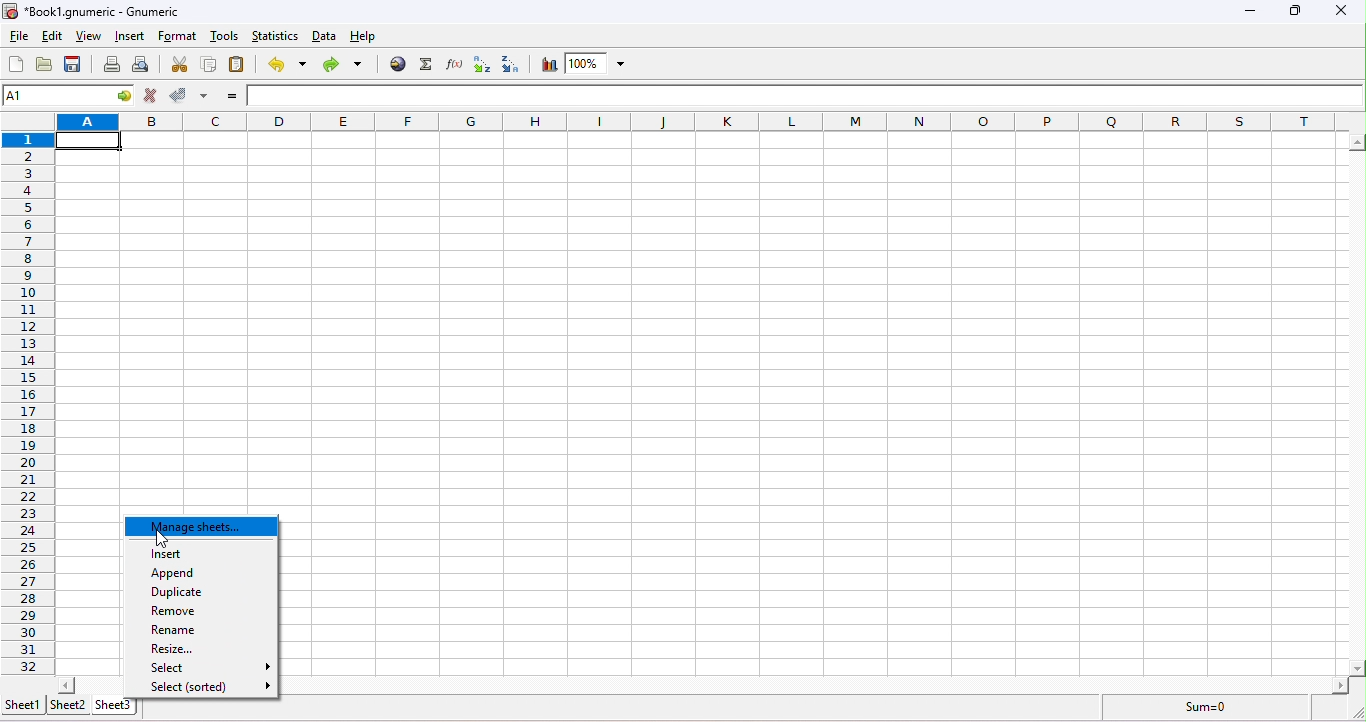 The height and width of the screenshot is (722, 1366). What do you see at coordinates (277, 36) in the screenshot?
I see `statistics` at bounding box center [277, 36].